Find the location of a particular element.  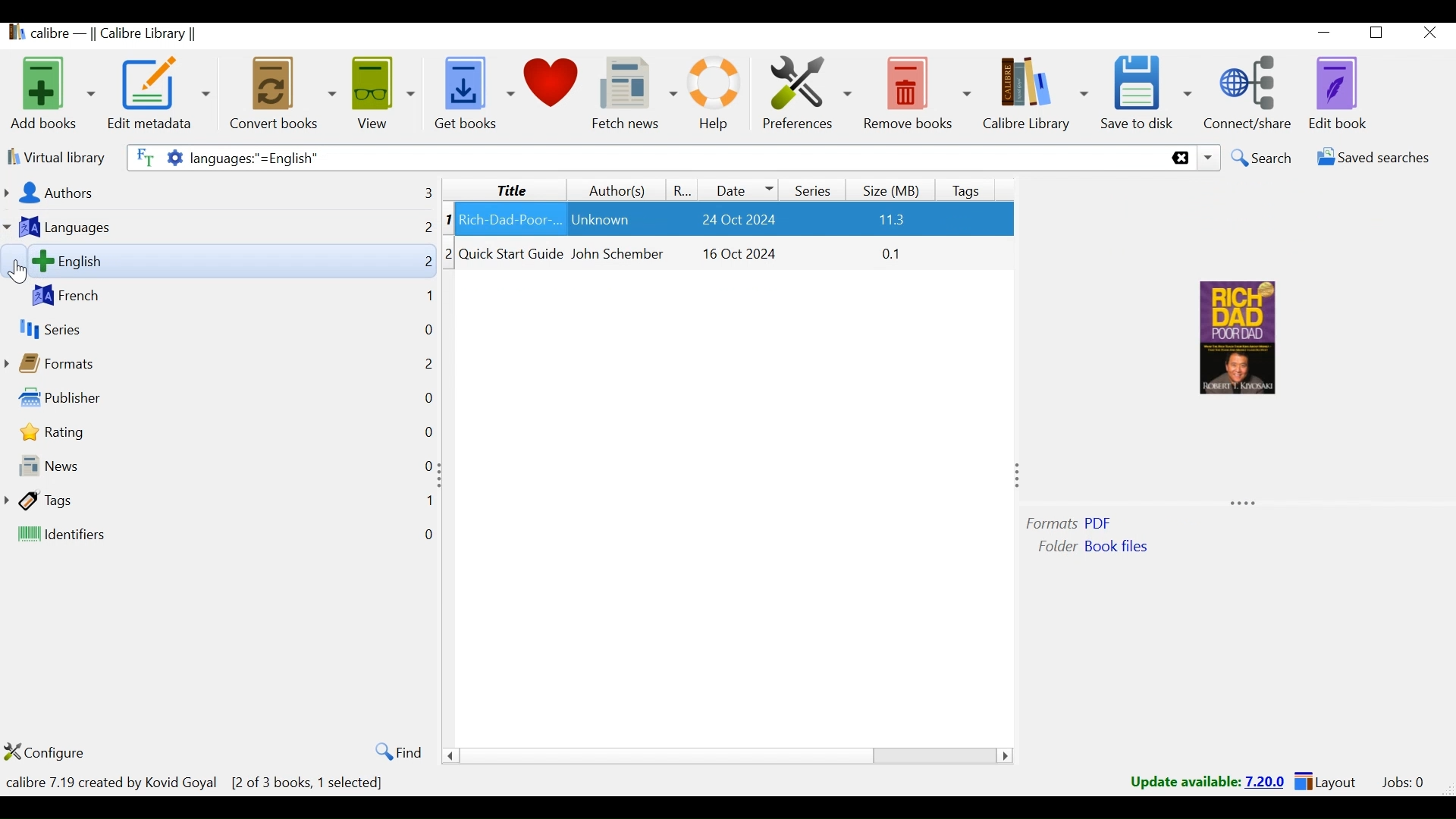

Tags is located at coordinates (114, 501).